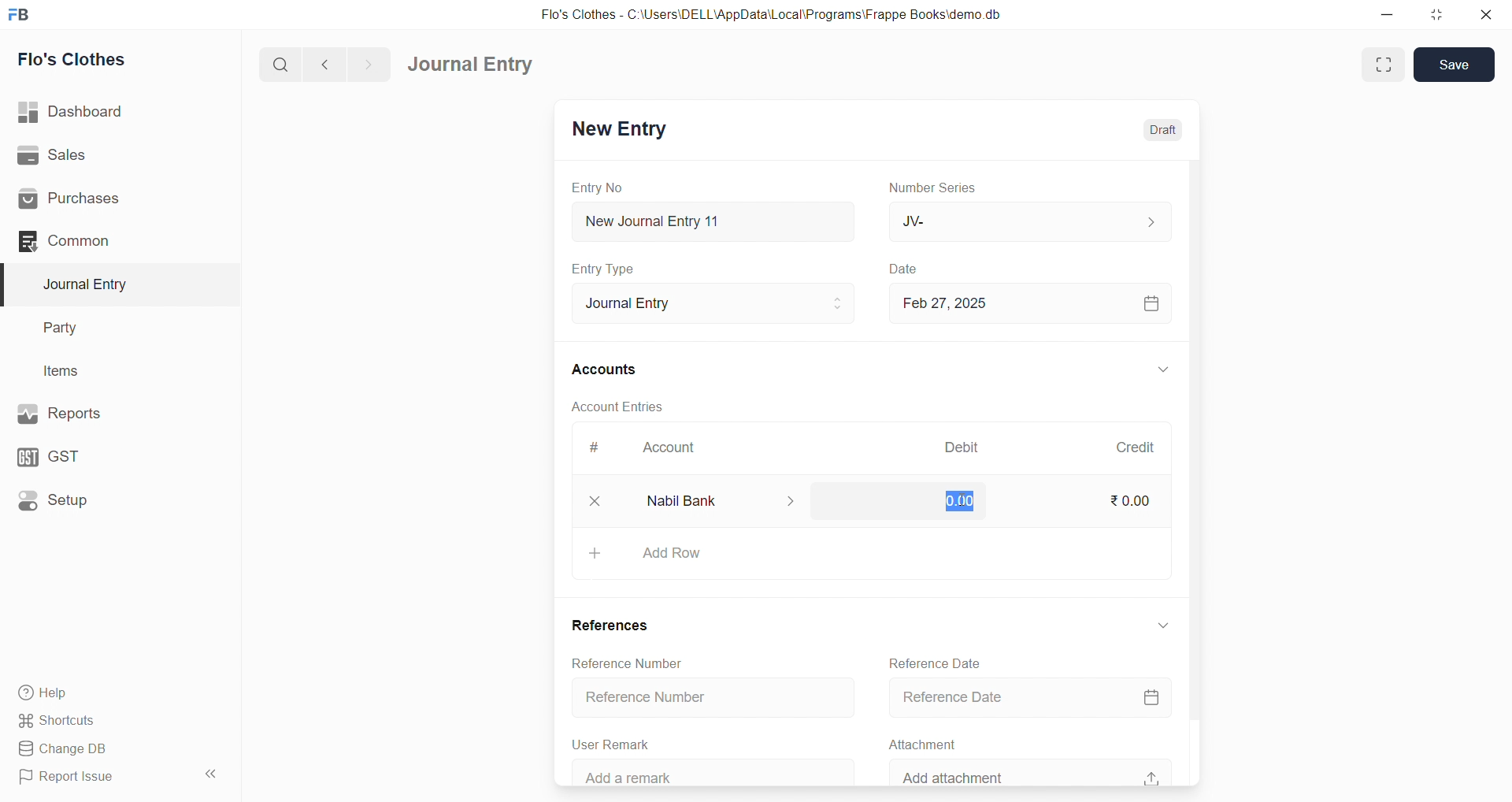 The height and width of the screenshot is (802, 1512). What do you see at coordinates (710, 771) in the screenshot?
I see `Add a remark` at bounding box center [710, 771].